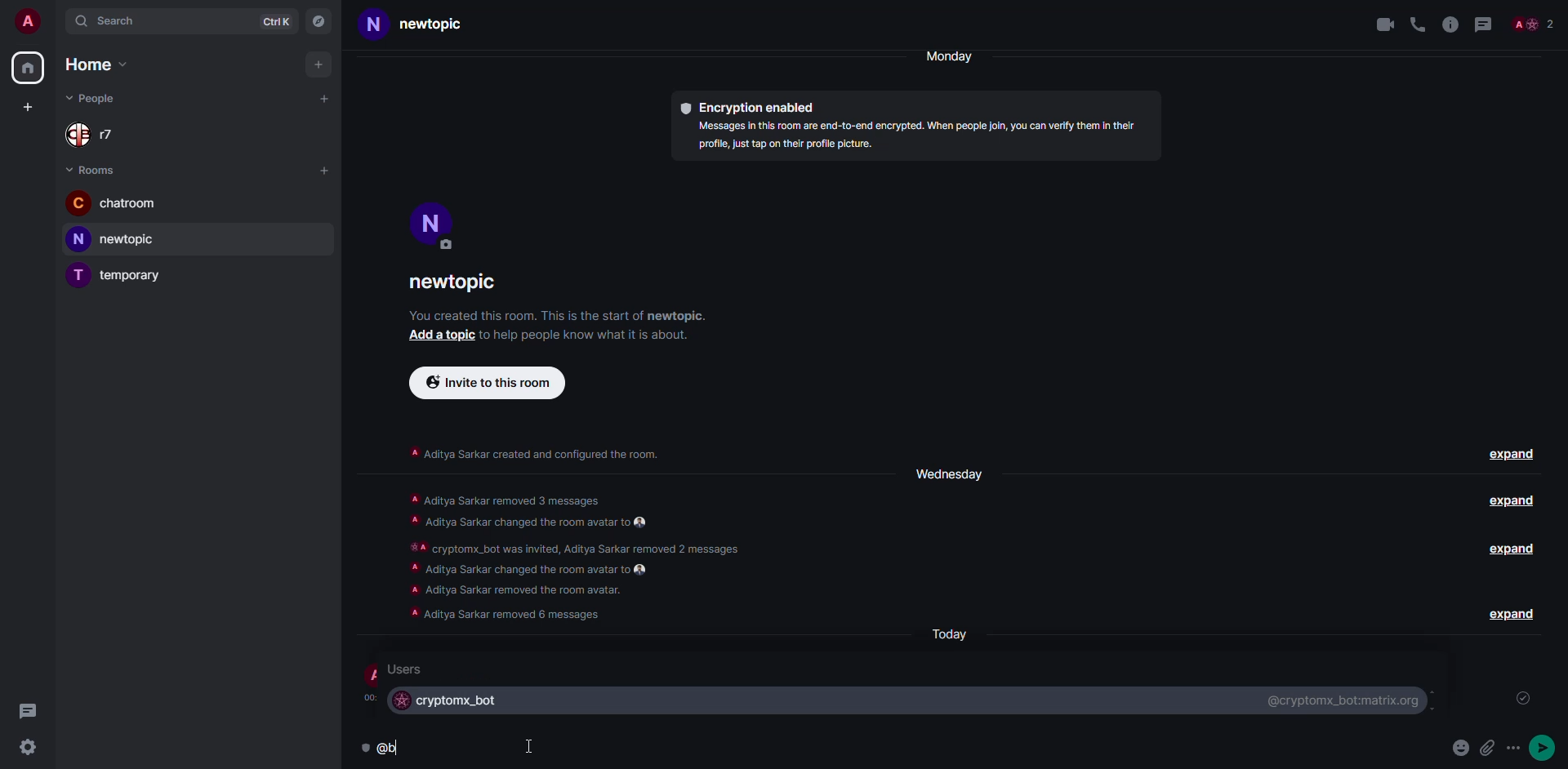 The width and height of the screenshot is (1568, 769). Describe the element at coordinates (110, 22) in the screenshot. I see `search` at that location.